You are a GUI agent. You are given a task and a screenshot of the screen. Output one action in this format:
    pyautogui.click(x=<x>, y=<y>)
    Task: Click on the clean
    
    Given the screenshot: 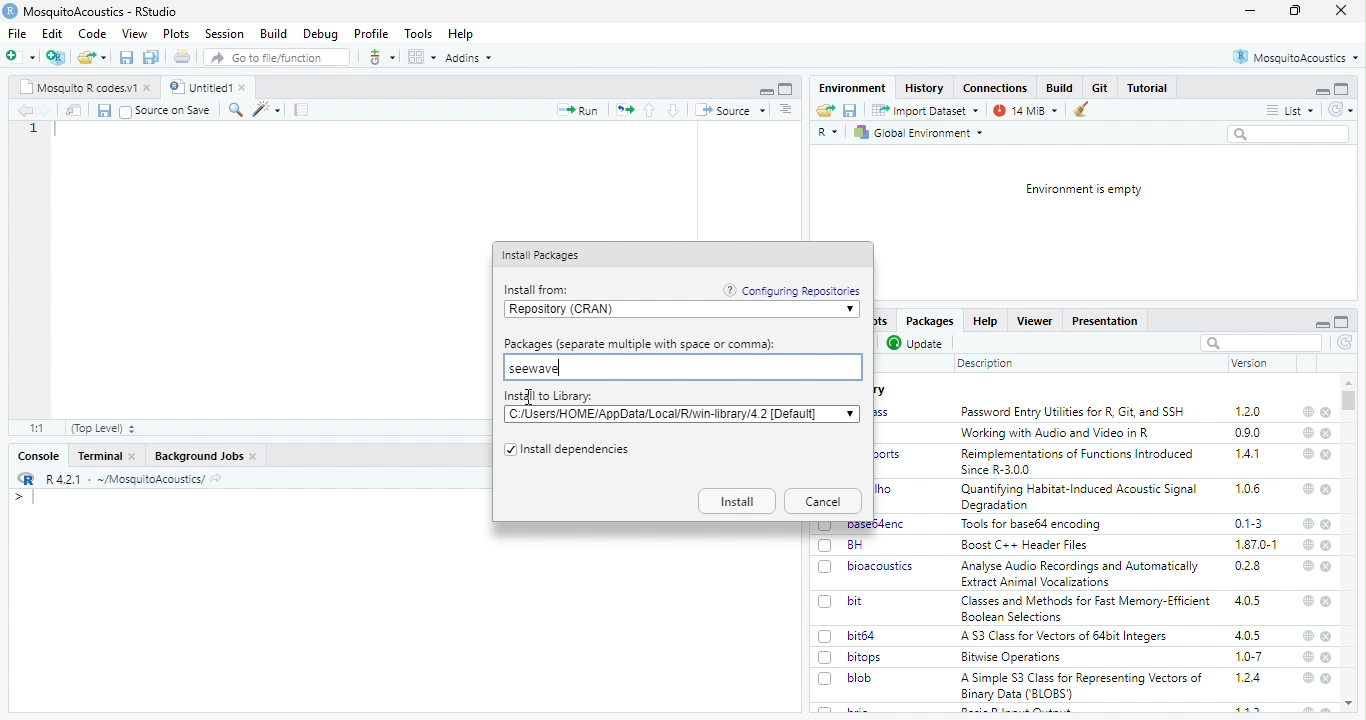 What is the action you would take?
    pyautogui.click(x=1075, y=110)
    